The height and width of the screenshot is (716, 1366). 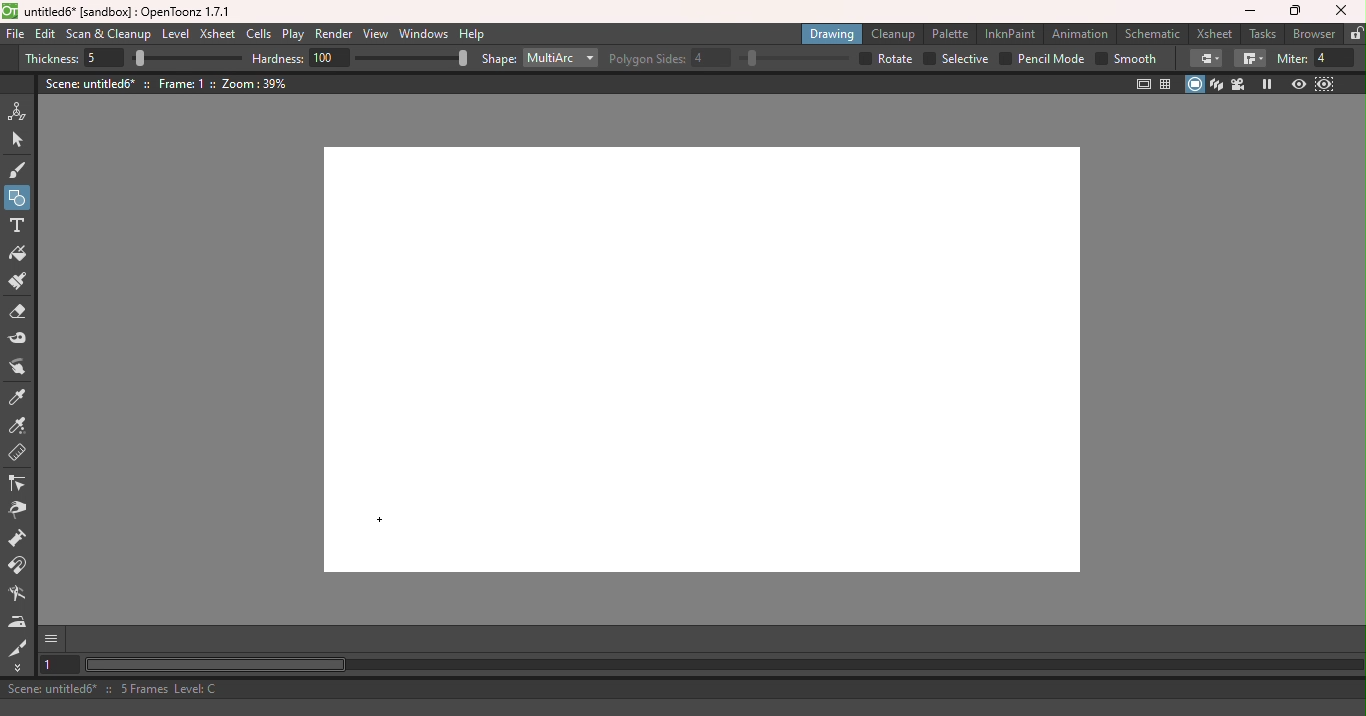 I want to click on Drawing, so click(x=832, y=34).